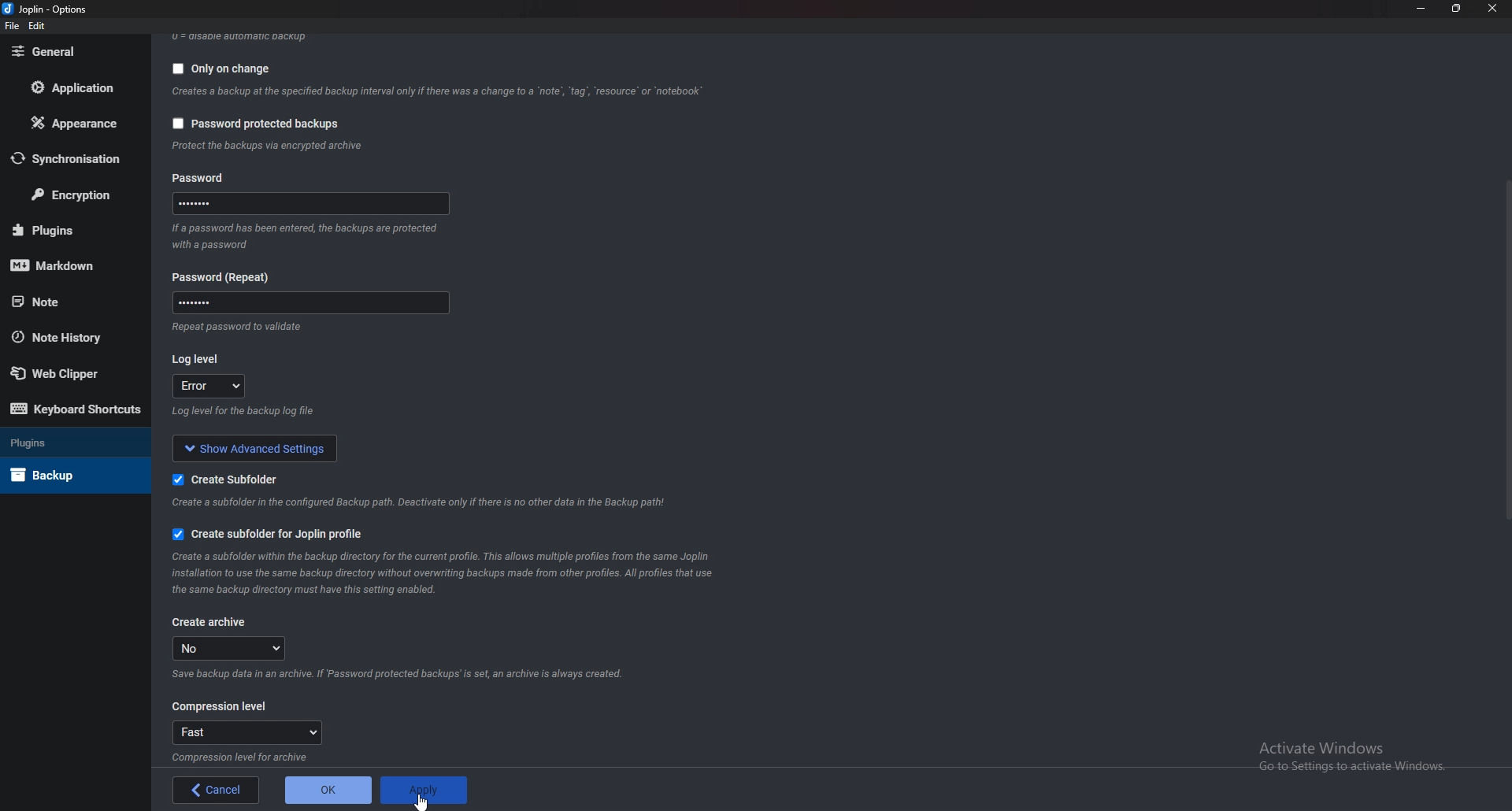  What do you see at coordinates (64, 336) in the screenshot?
I see `Note history` at bounding box center [64, 336].